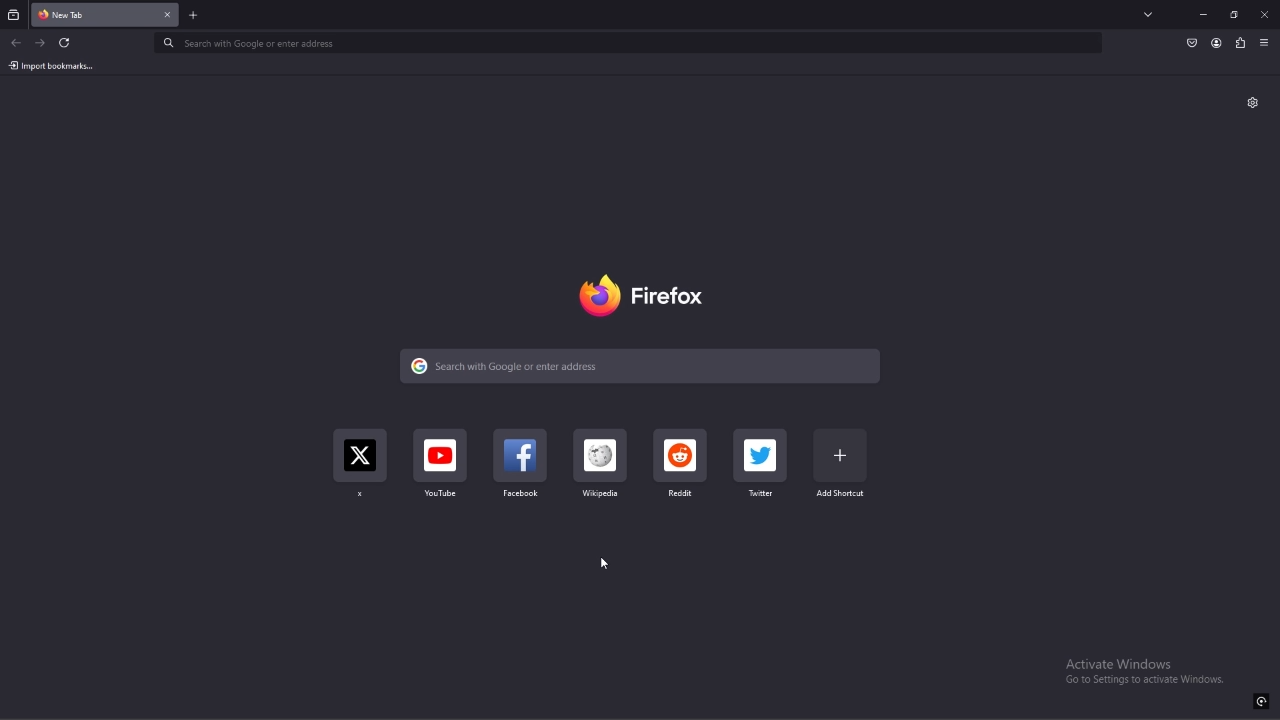 This screenshot has height=720, width=1280. I want to click on application menu, so click(1263, 43).